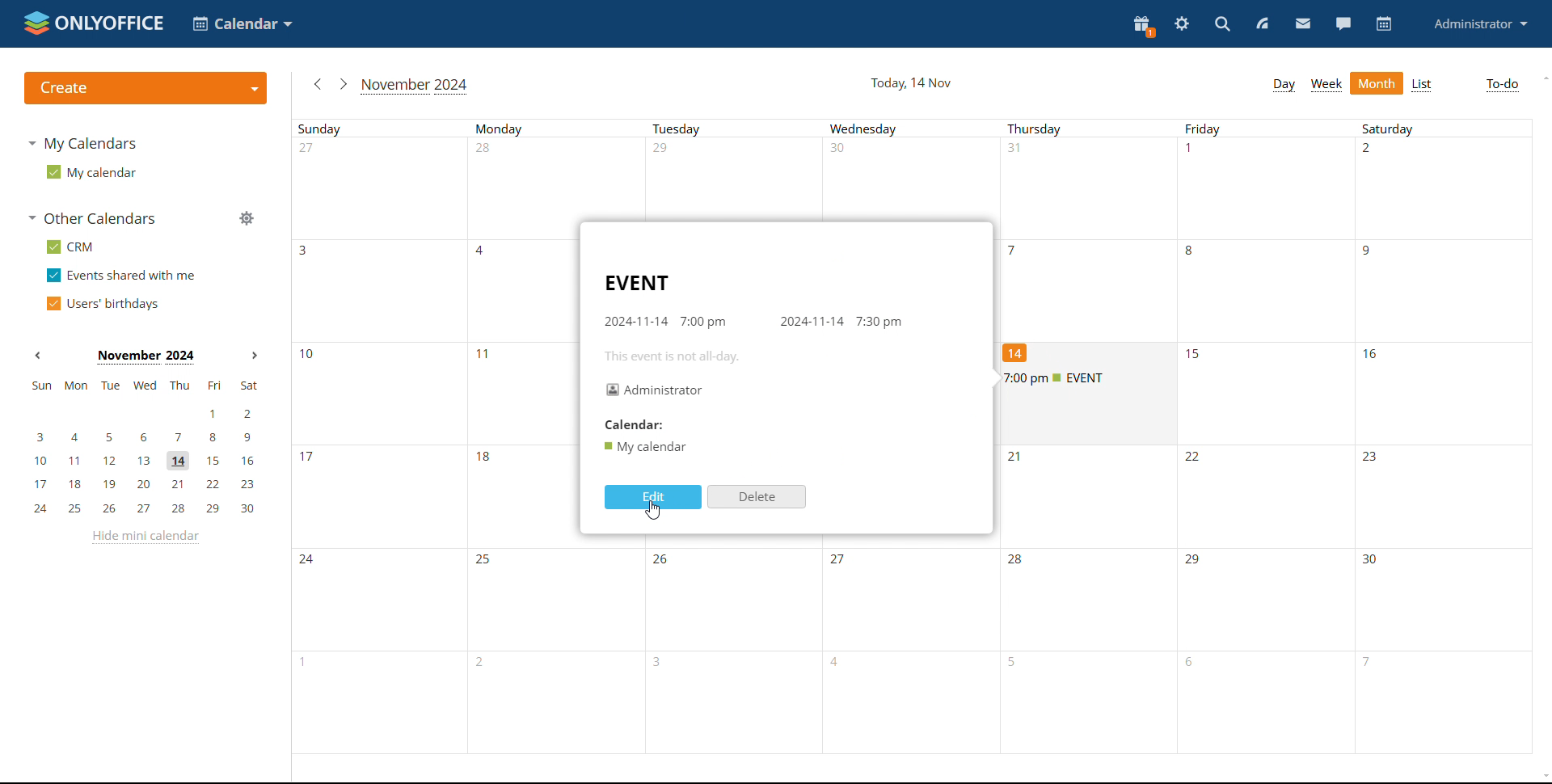  Describe the element at coordinates (416, 86) in the screenshot. I see `current month` at that location.